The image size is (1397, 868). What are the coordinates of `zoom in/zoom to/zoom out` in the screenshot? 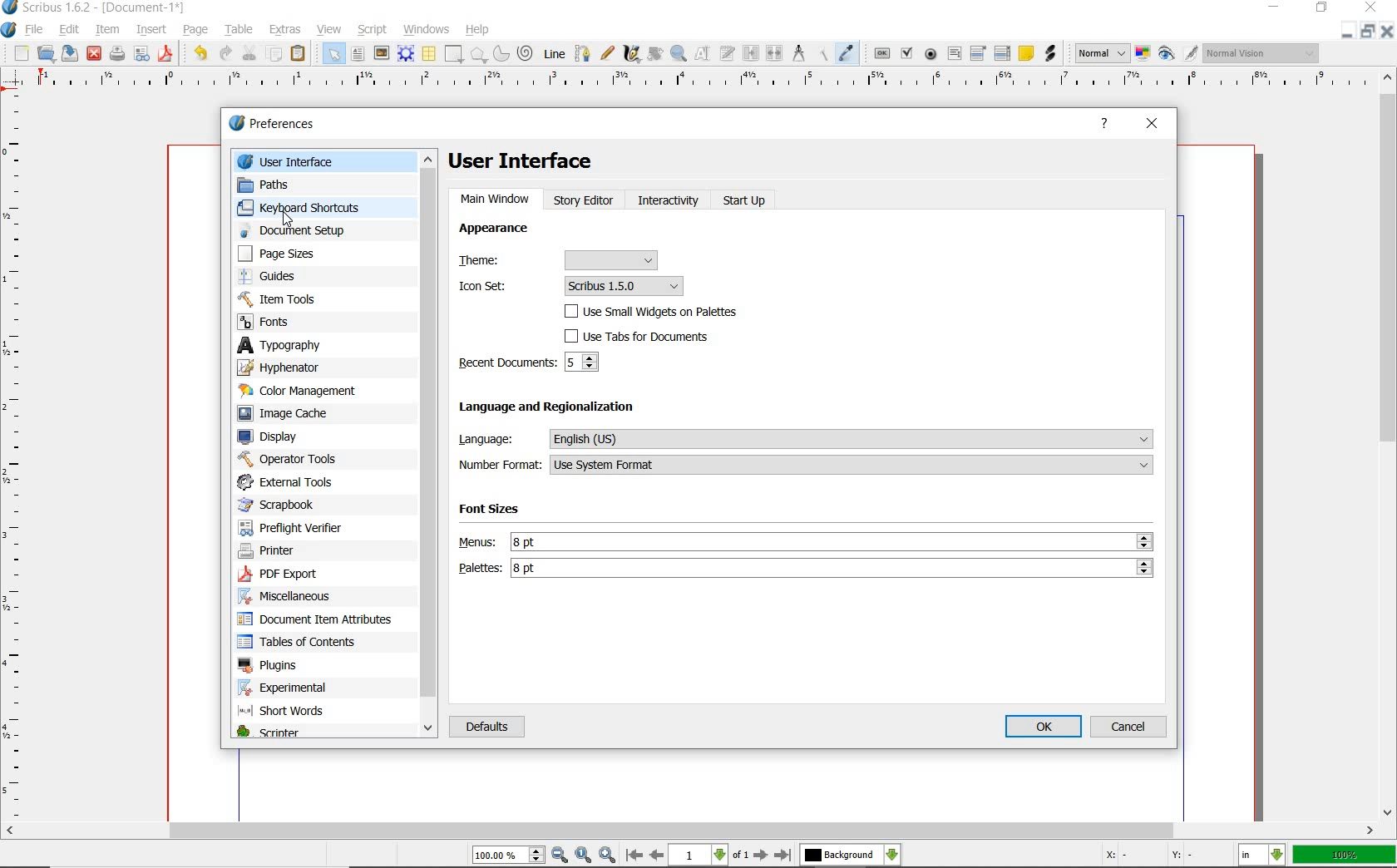 It's located at (544, 856).